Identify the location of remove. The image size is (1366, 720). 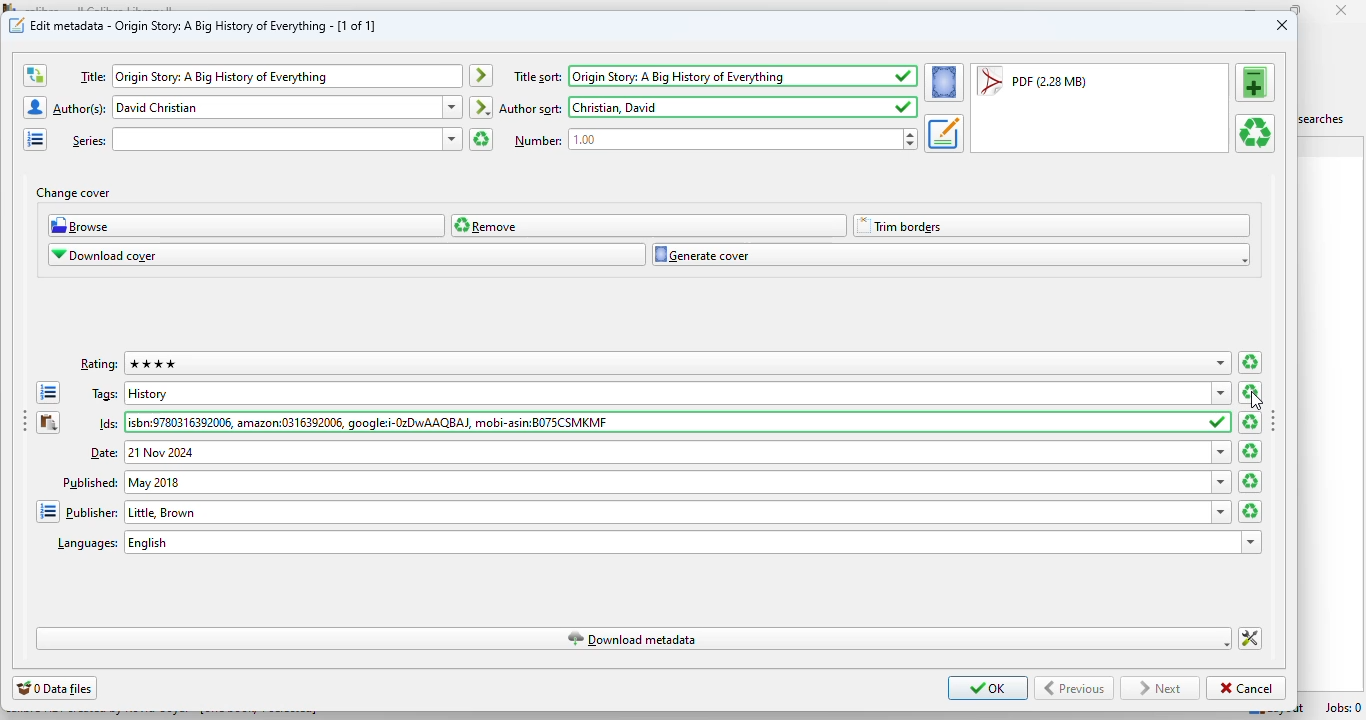
(649, 226).